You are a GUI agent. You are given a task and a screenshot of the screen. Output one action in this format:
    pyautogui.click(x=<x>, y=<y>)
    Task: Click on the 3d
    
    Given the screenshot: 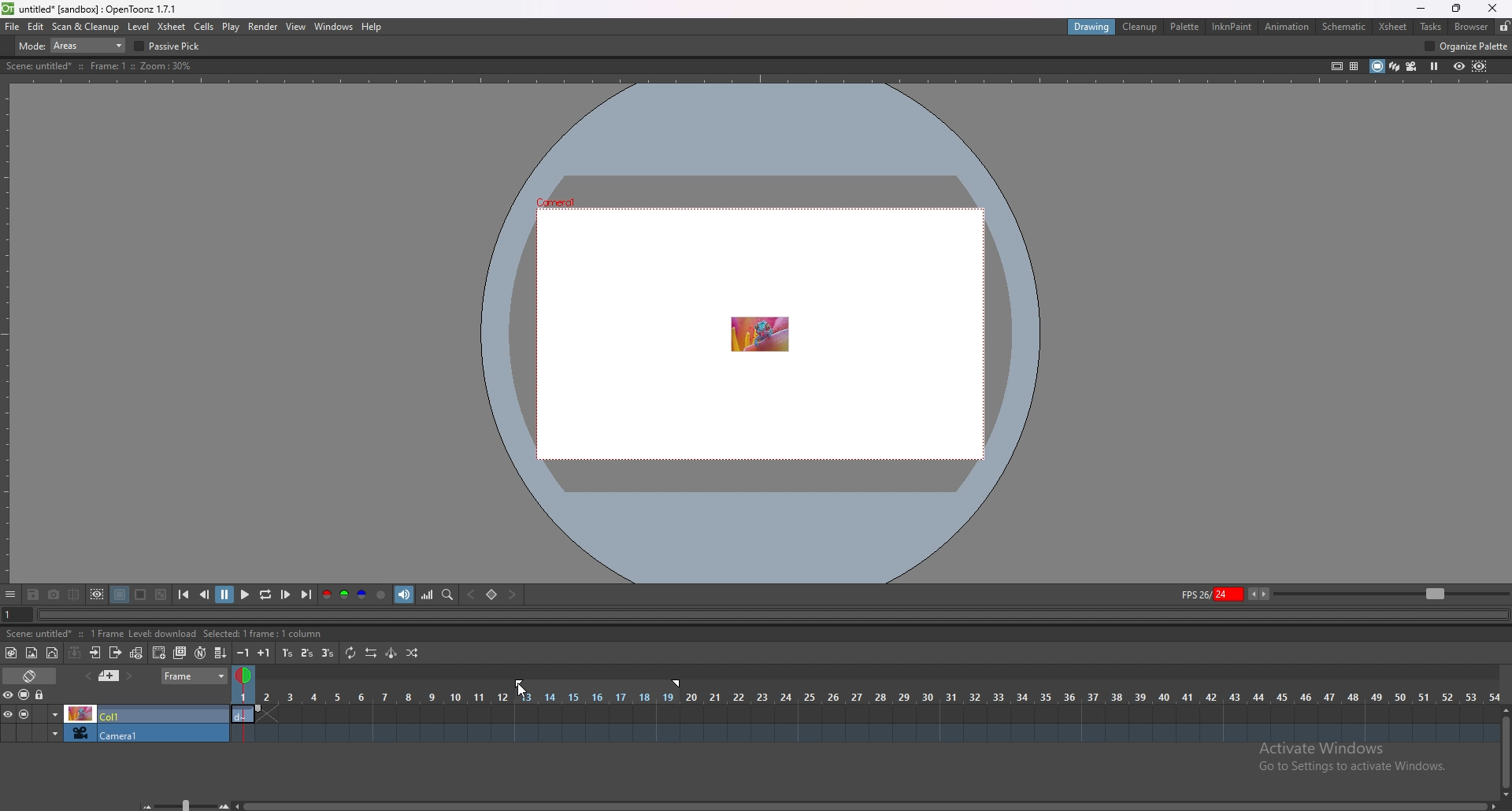 What is the action you would take?
    pyautogui.click(x=1395, y=65)
    